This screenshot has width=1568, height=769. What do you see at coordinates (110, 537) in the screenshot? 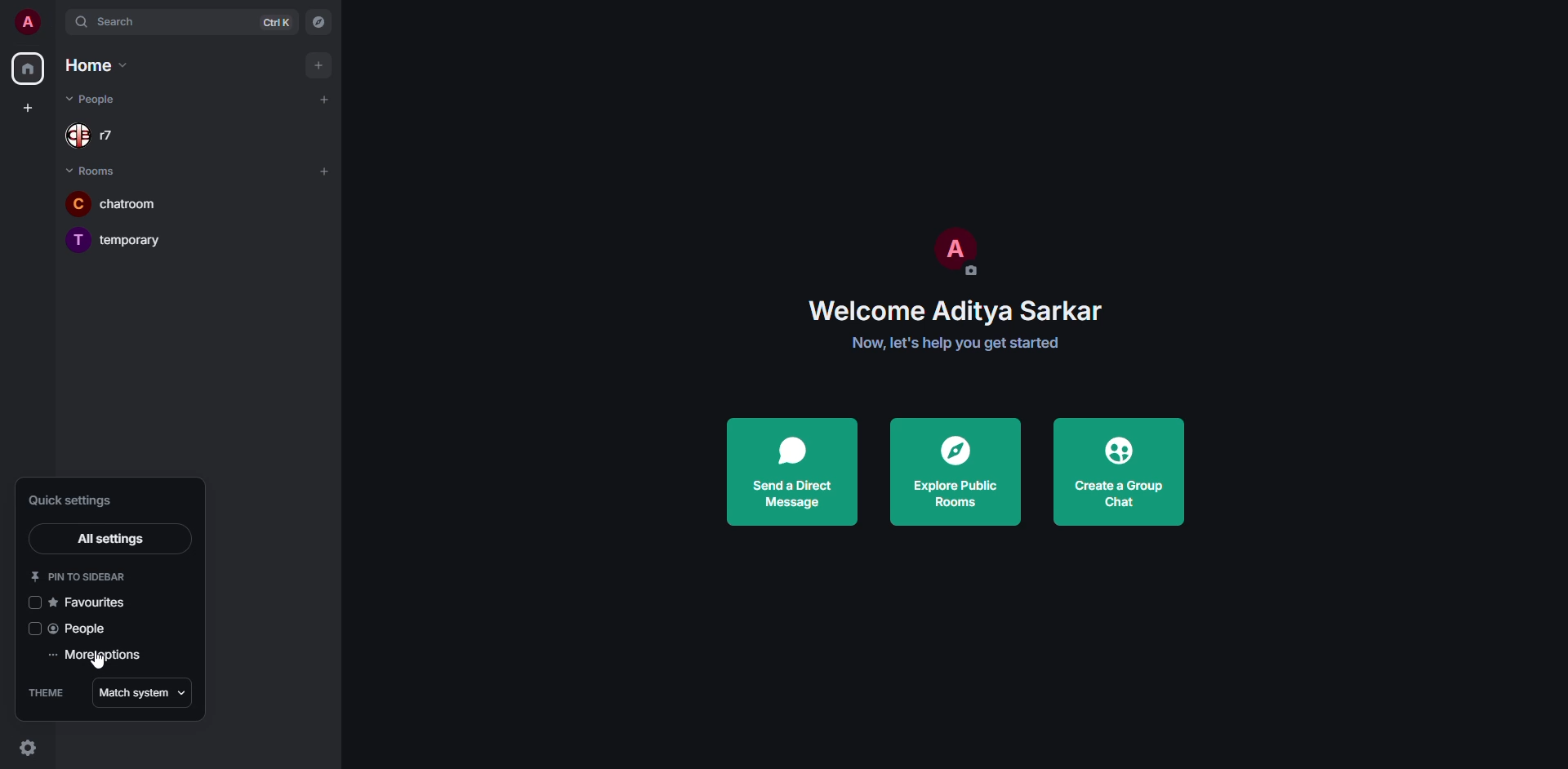
I see `all settings` at bounding box center [110, 537].